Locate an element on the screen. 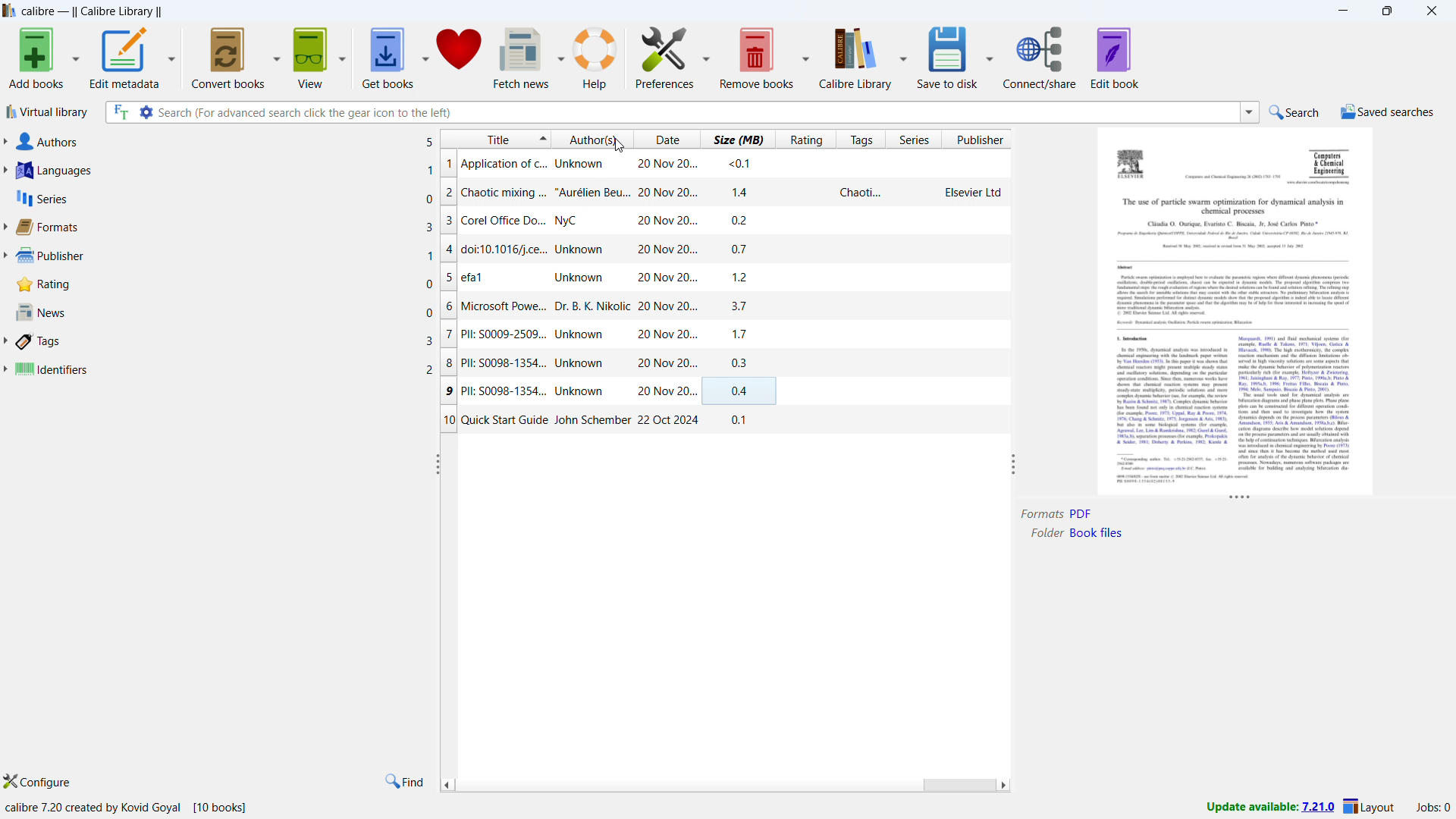 This screenshot has height=819, width=1456. Chaoti... is located at coordinates (868, 192).